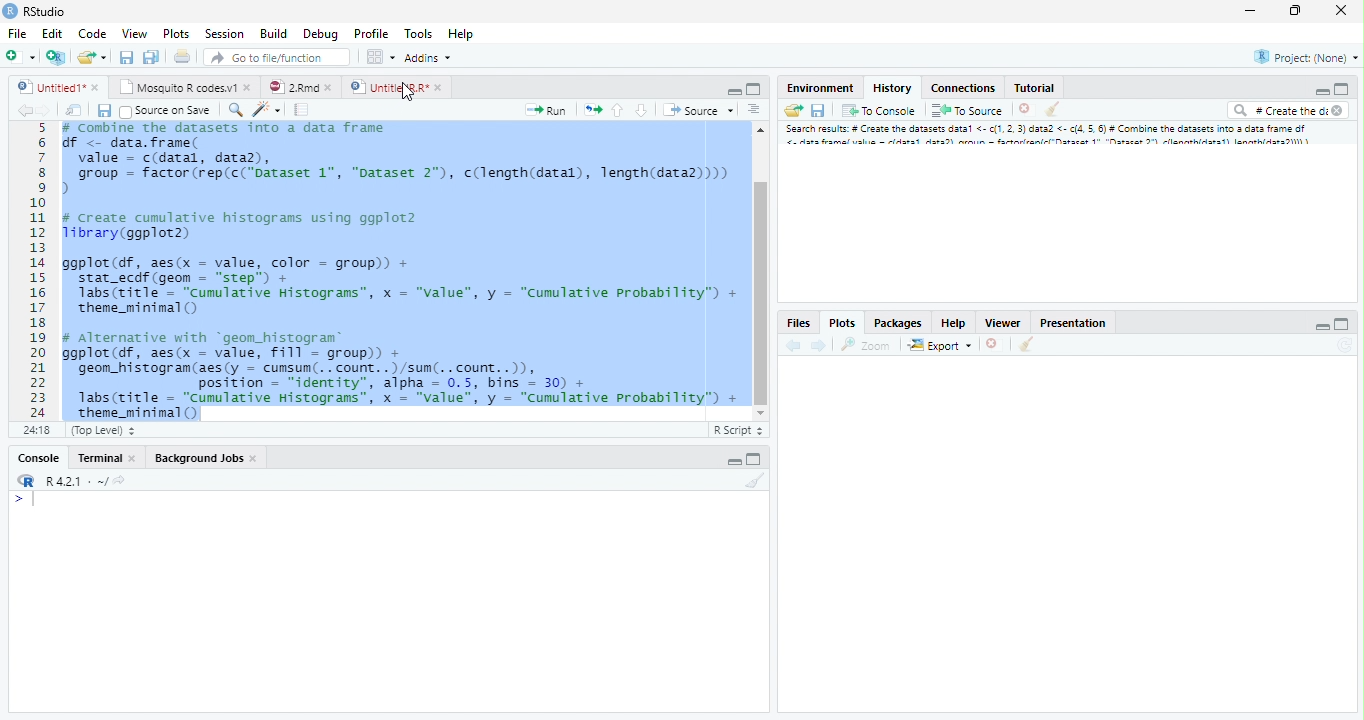  I want to click on Create a new file, so click(94, 57).